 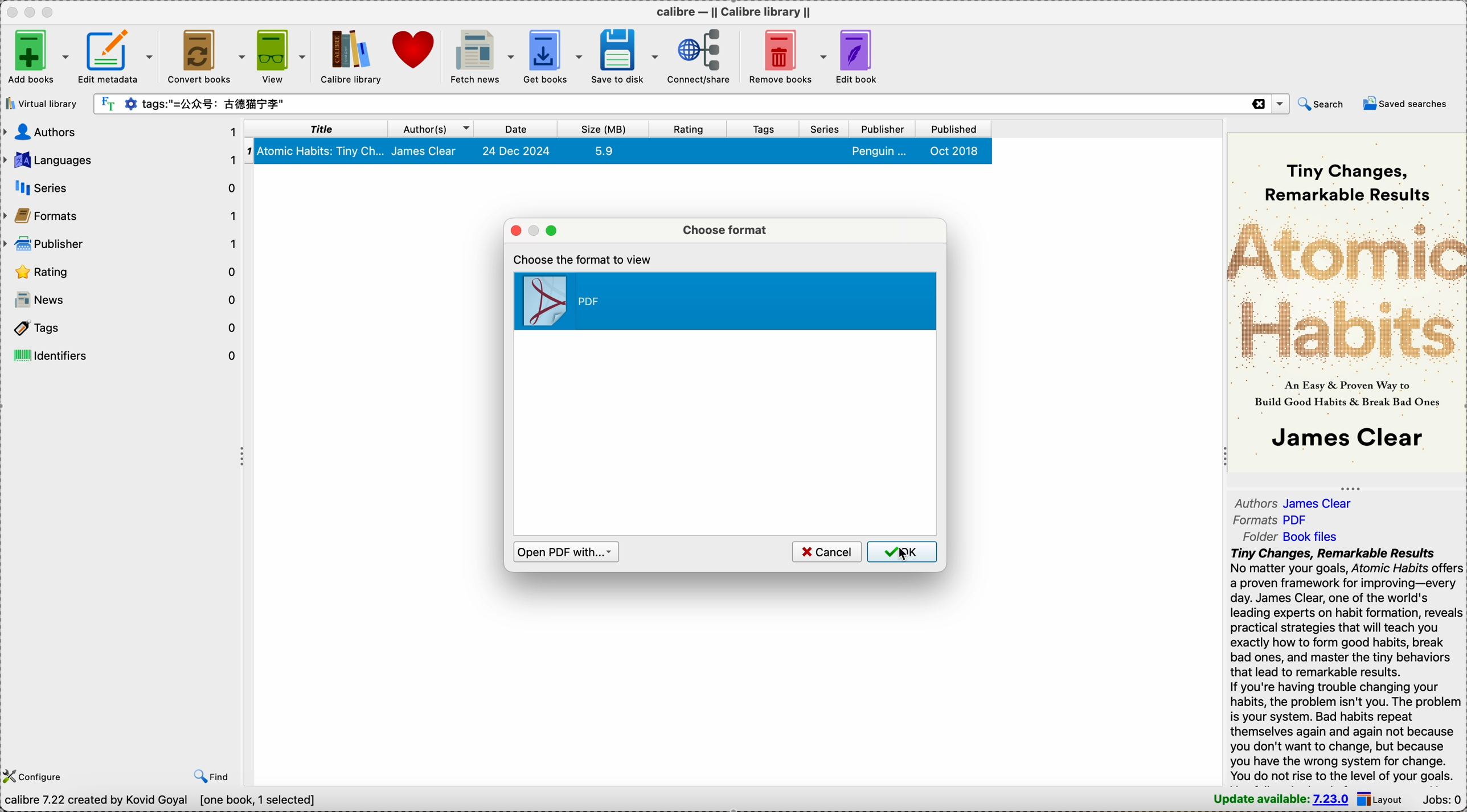 What do you see at coordinates (435, 130) in the screenshot?
I see `author(s)` at bounding box center [435, 130].